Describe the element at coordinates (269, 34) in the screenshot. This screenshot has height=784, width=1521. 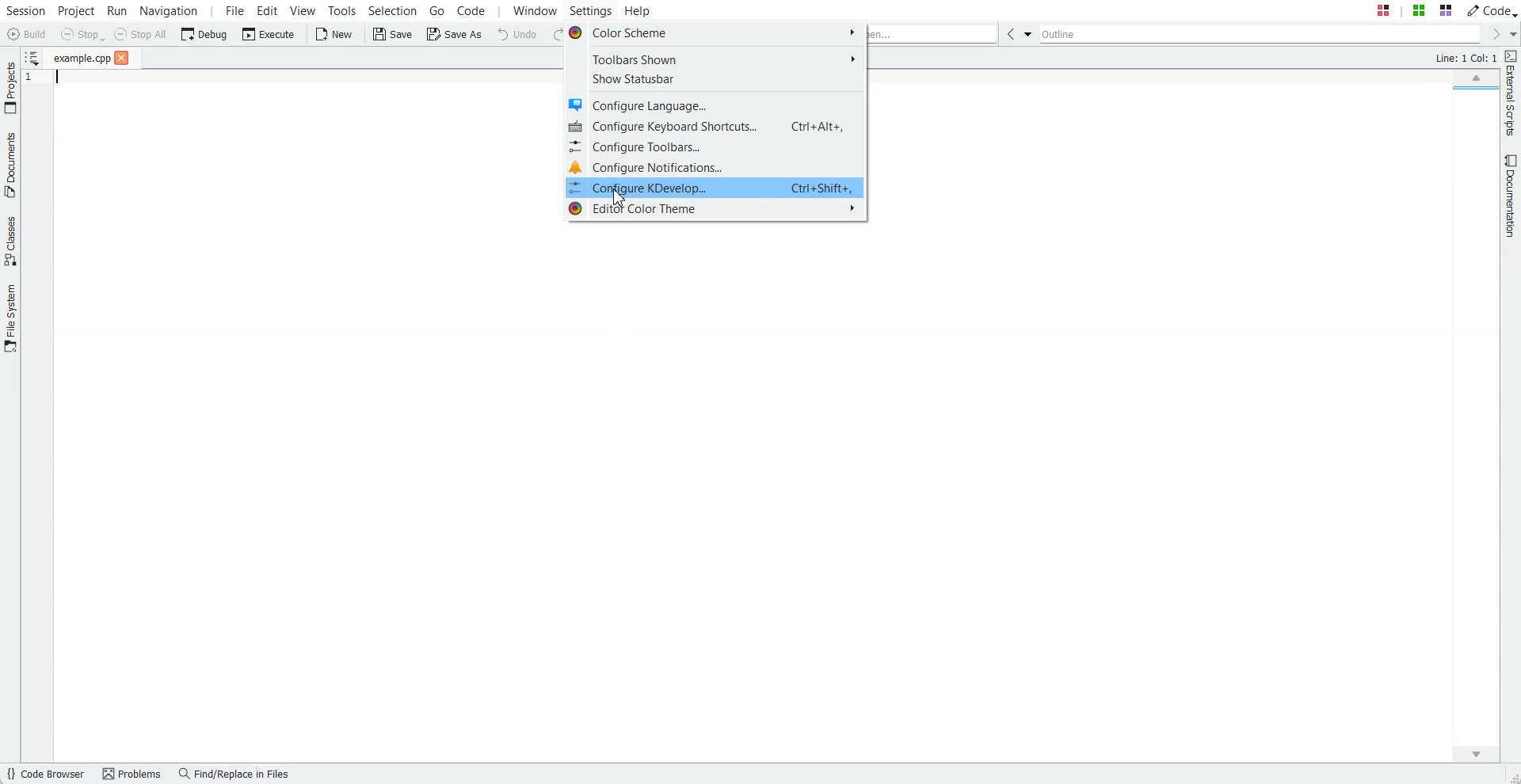
I see `Execute` at that location.